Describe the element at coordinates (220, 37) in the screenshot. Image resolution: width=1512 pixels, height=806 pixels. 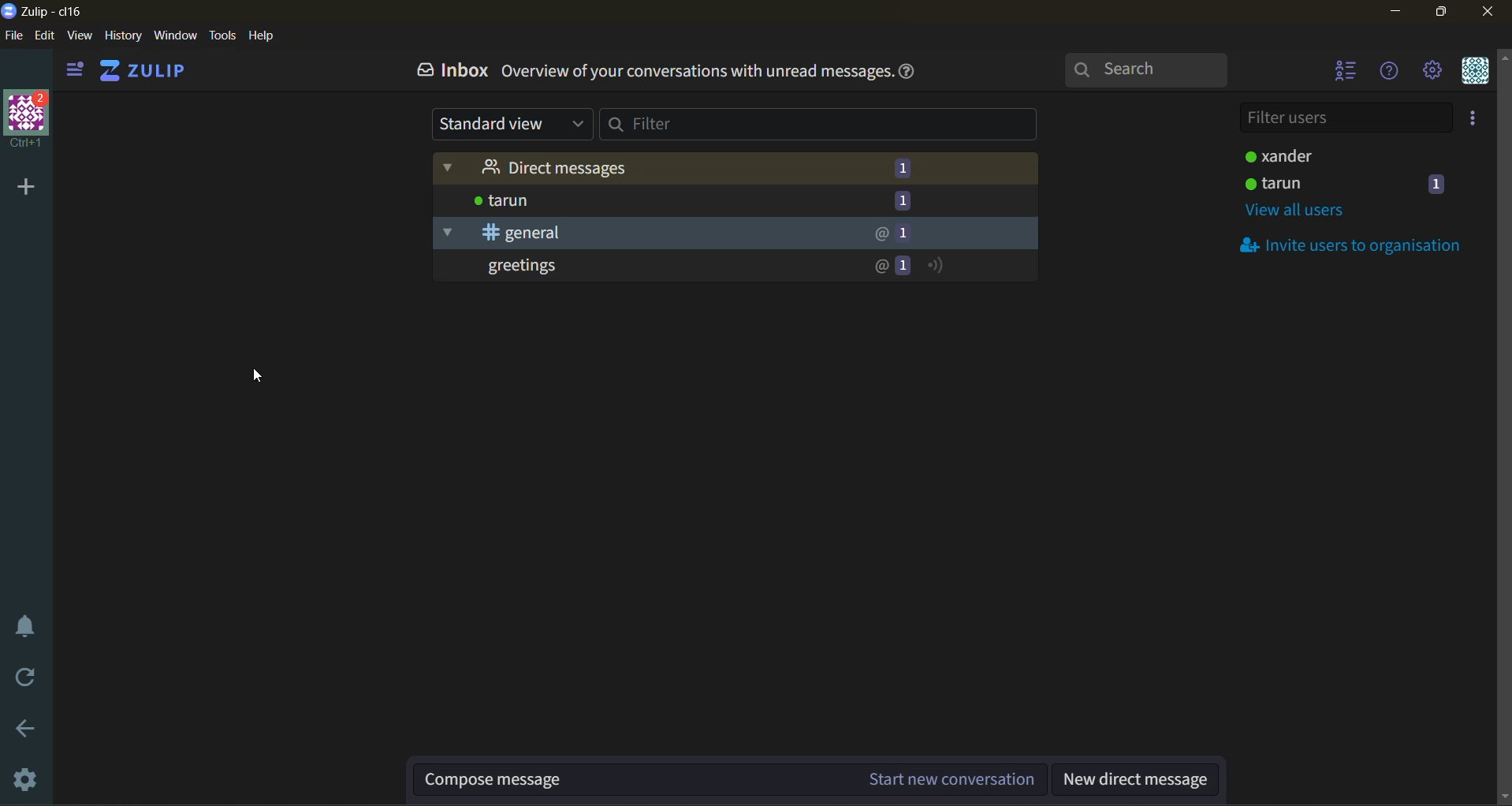
I see `tools` at that location.